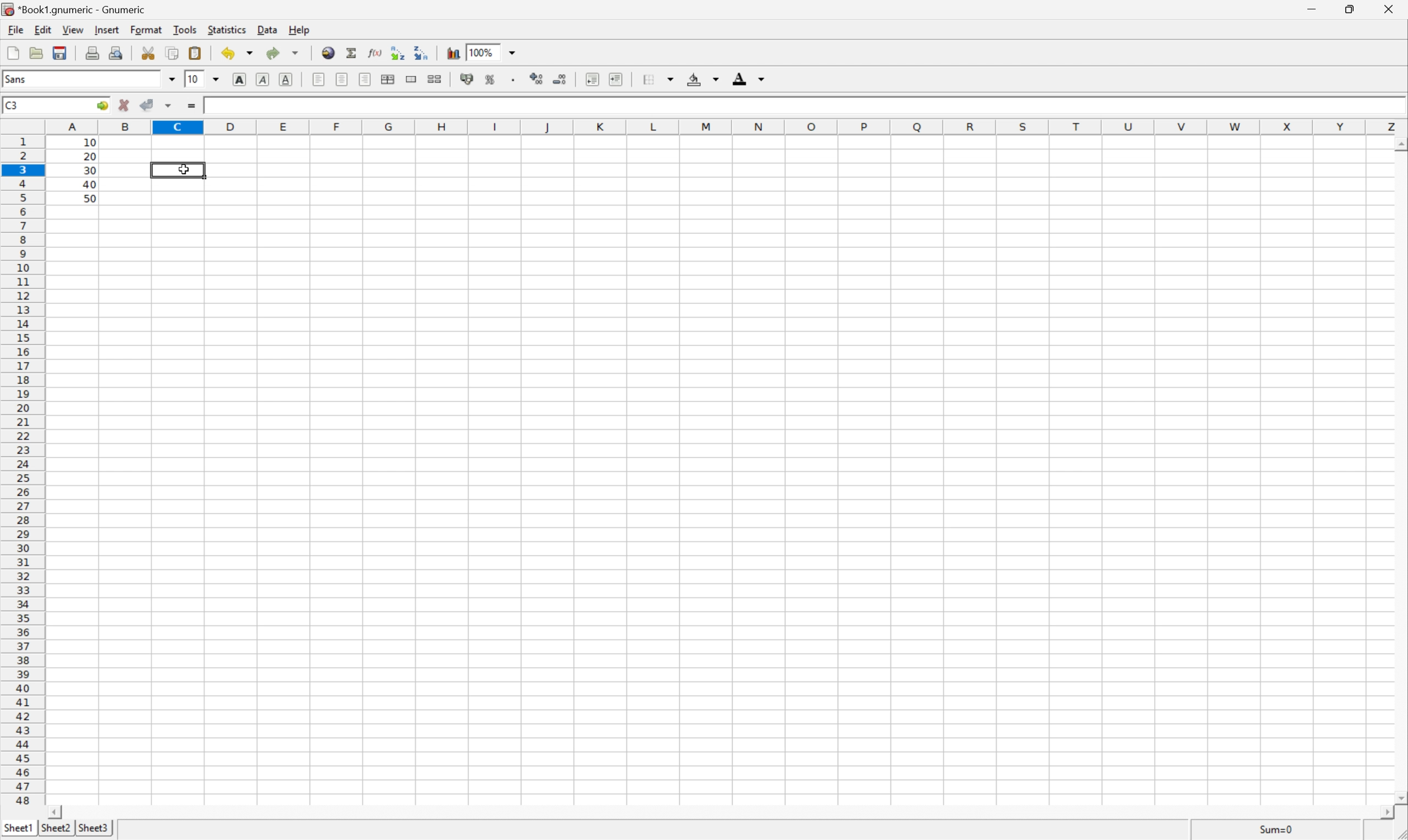 The height and width of the screenshot is (840, 1408). What do you see at coordinates (145, 29) in the screenshot?
I see `Format` at bounding box center [145, 29].